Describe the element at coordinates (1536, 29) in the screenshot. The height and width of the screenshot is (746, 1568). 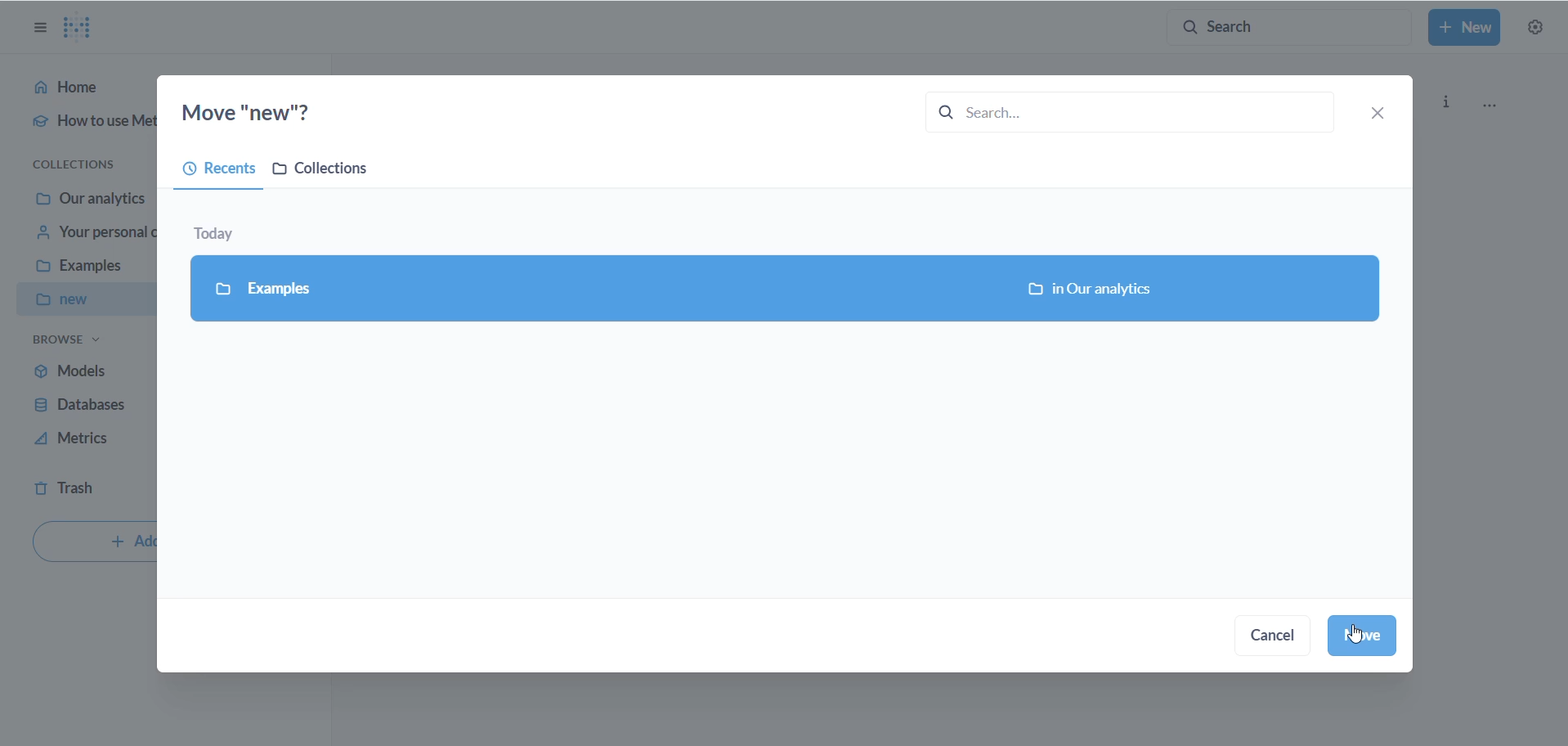
I see `settings` at that location.